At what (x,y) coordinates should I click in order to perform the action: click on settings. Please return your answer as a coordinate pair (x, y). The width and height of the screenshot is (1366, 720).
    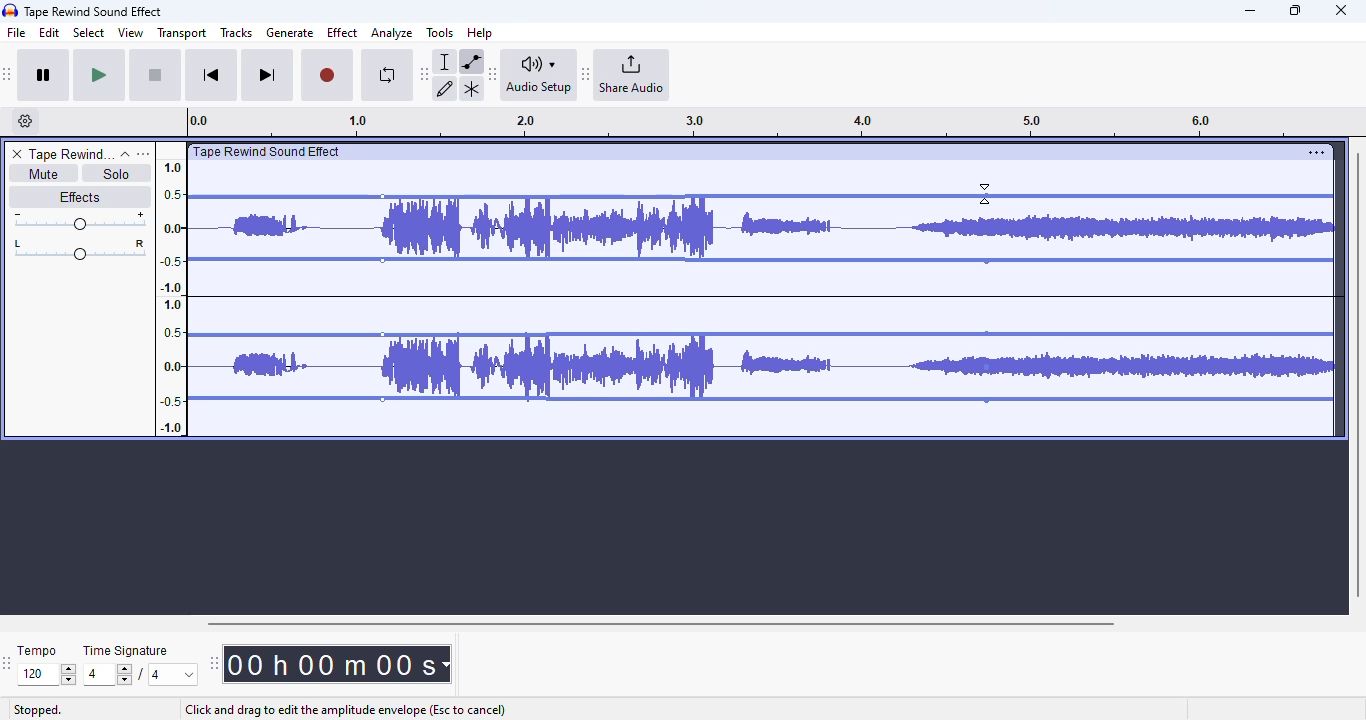
    Looking at the image, I should click on (1316, 152).